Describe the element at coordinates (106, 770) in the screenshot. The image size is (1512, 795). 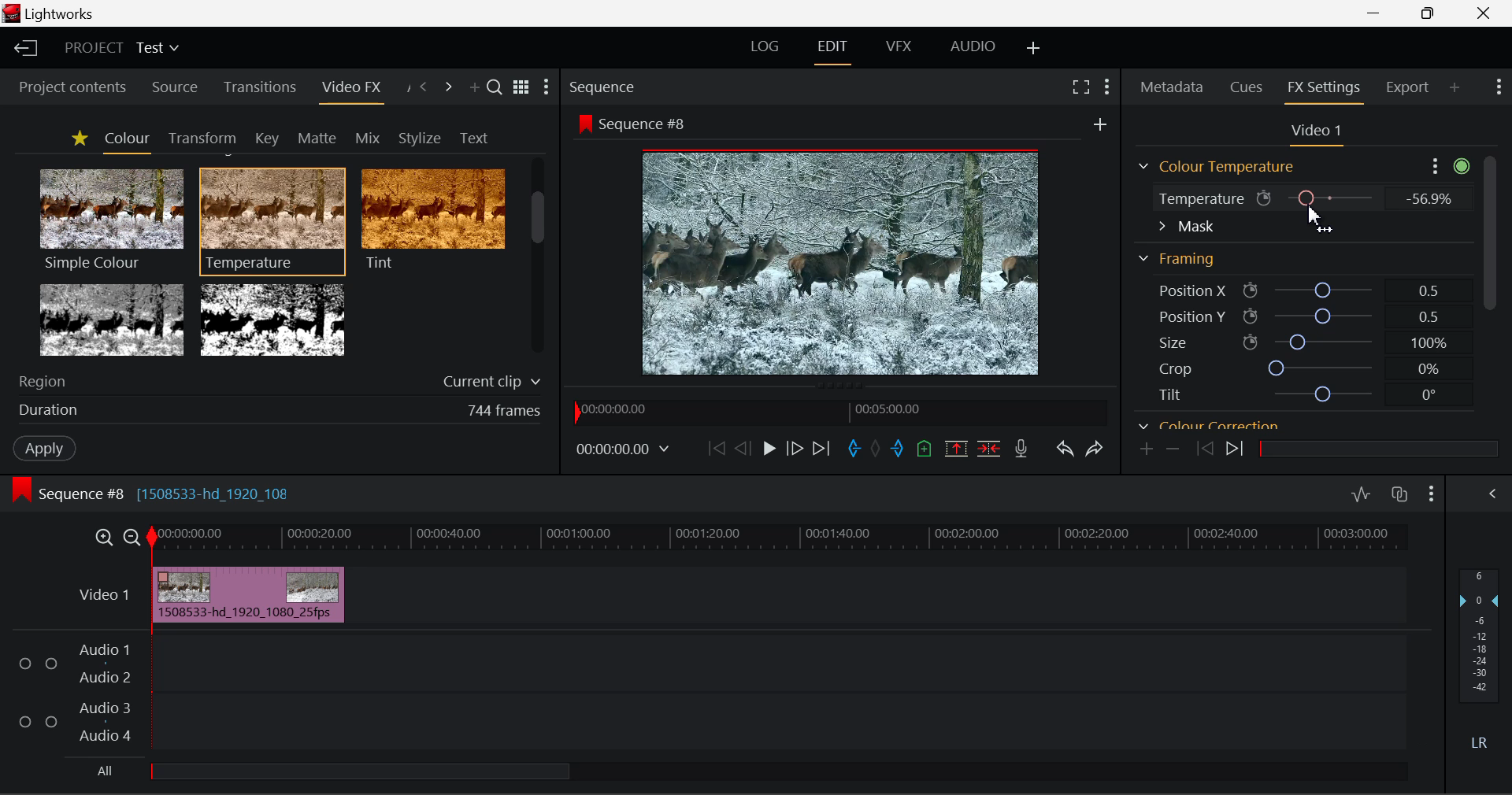
I see `All` at that location.